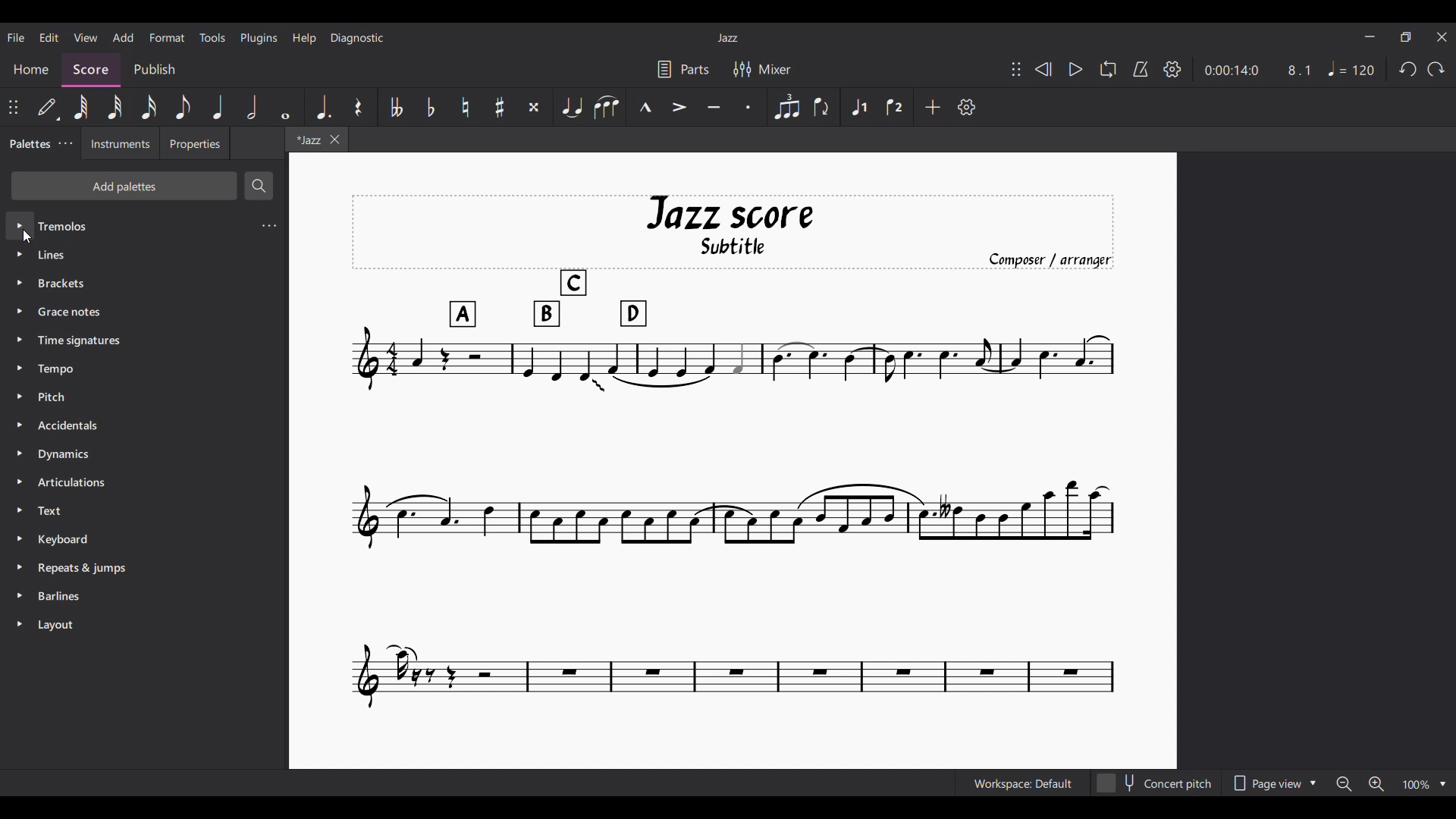 The width and height of the screenshot is (1456, 819). Describe the element at coordinates (143, 312) in the screenshot. I see `Grace notes` at that location.